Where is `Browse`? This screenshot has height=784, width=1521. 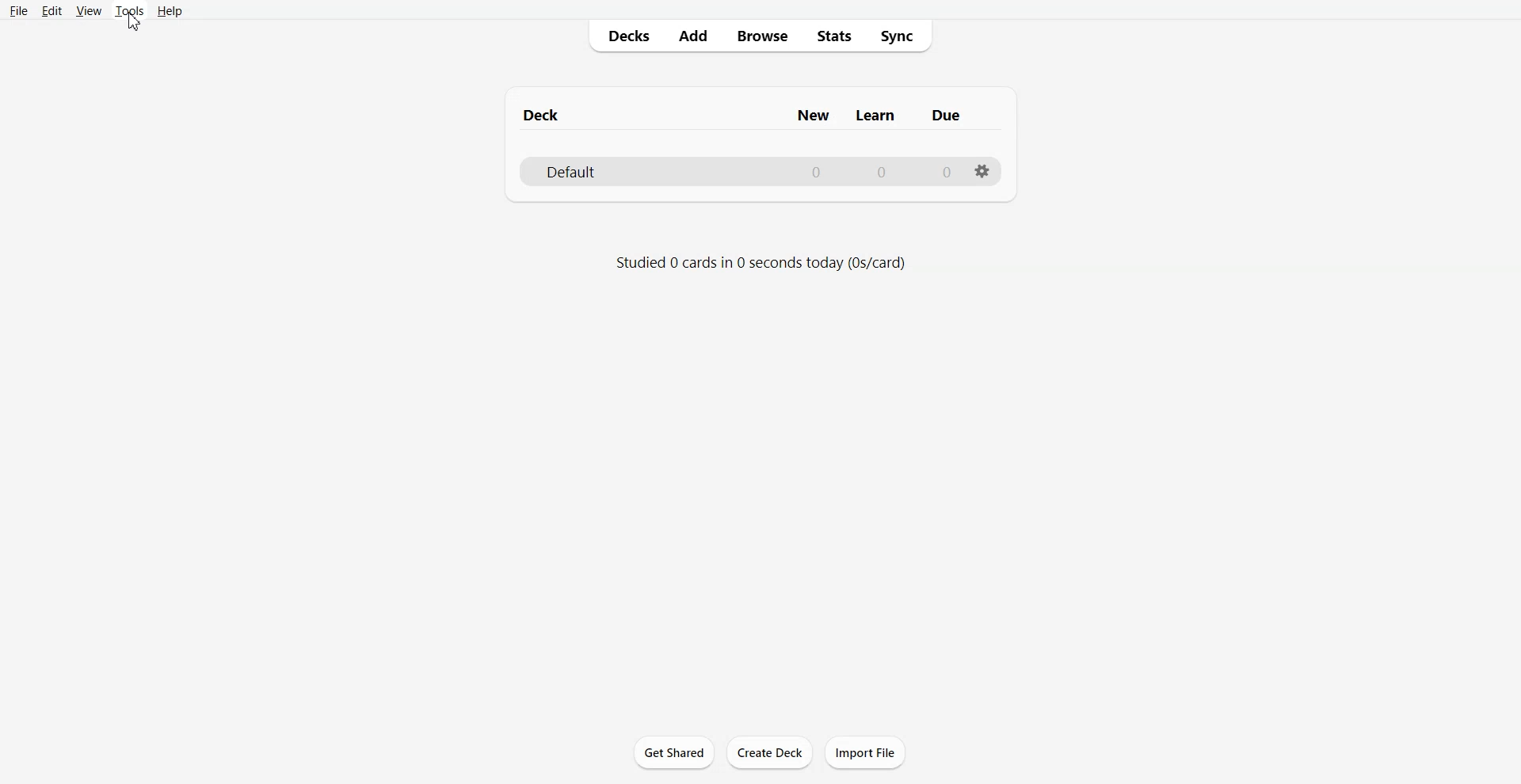
Browse is located at coordinates (761, 36).